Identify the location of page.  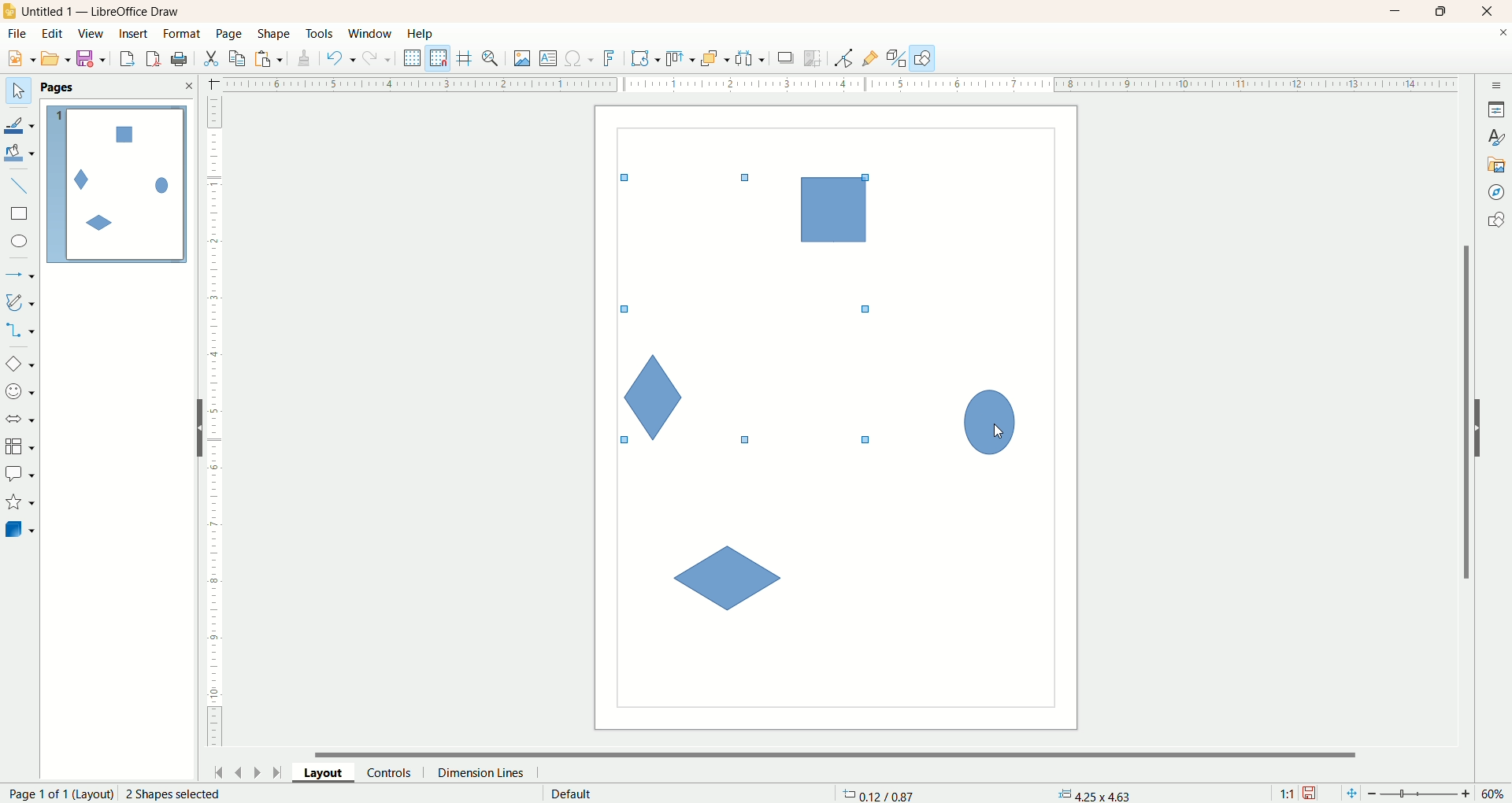
(231, 33).